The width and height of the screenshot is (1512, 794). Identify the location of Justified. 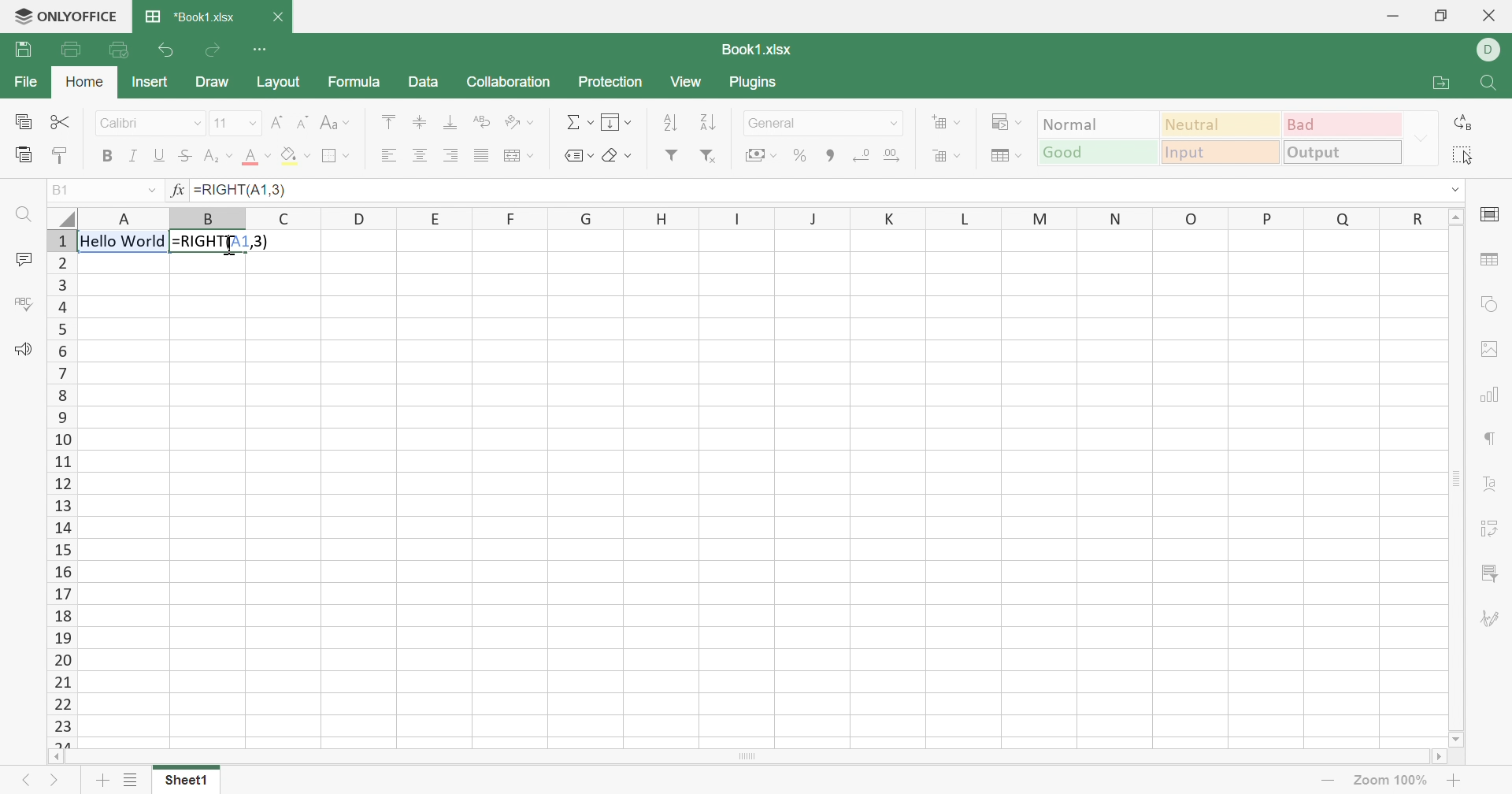
(482, 155).